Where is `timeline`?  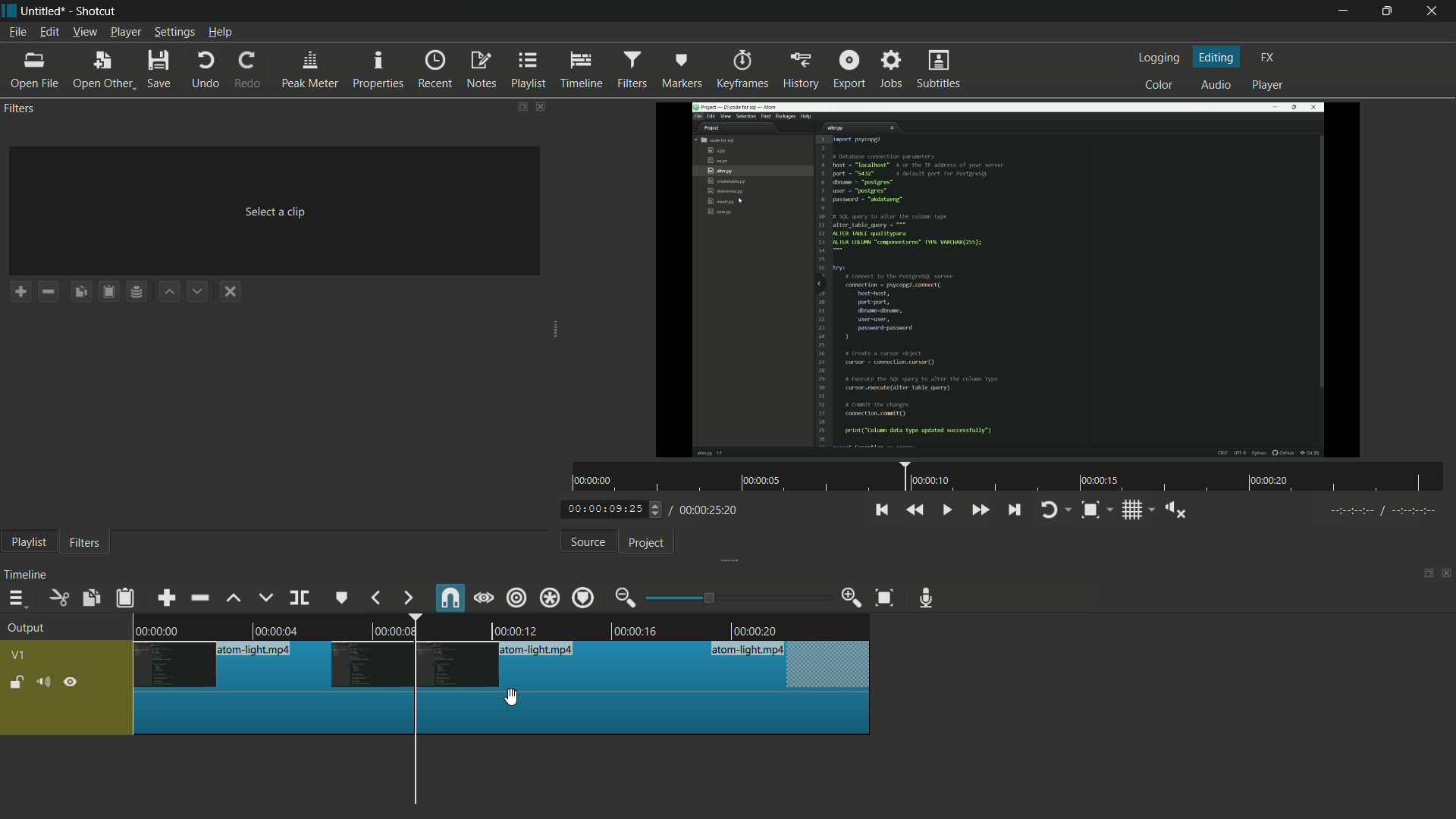 timeline is located at coordinates (584, 71).